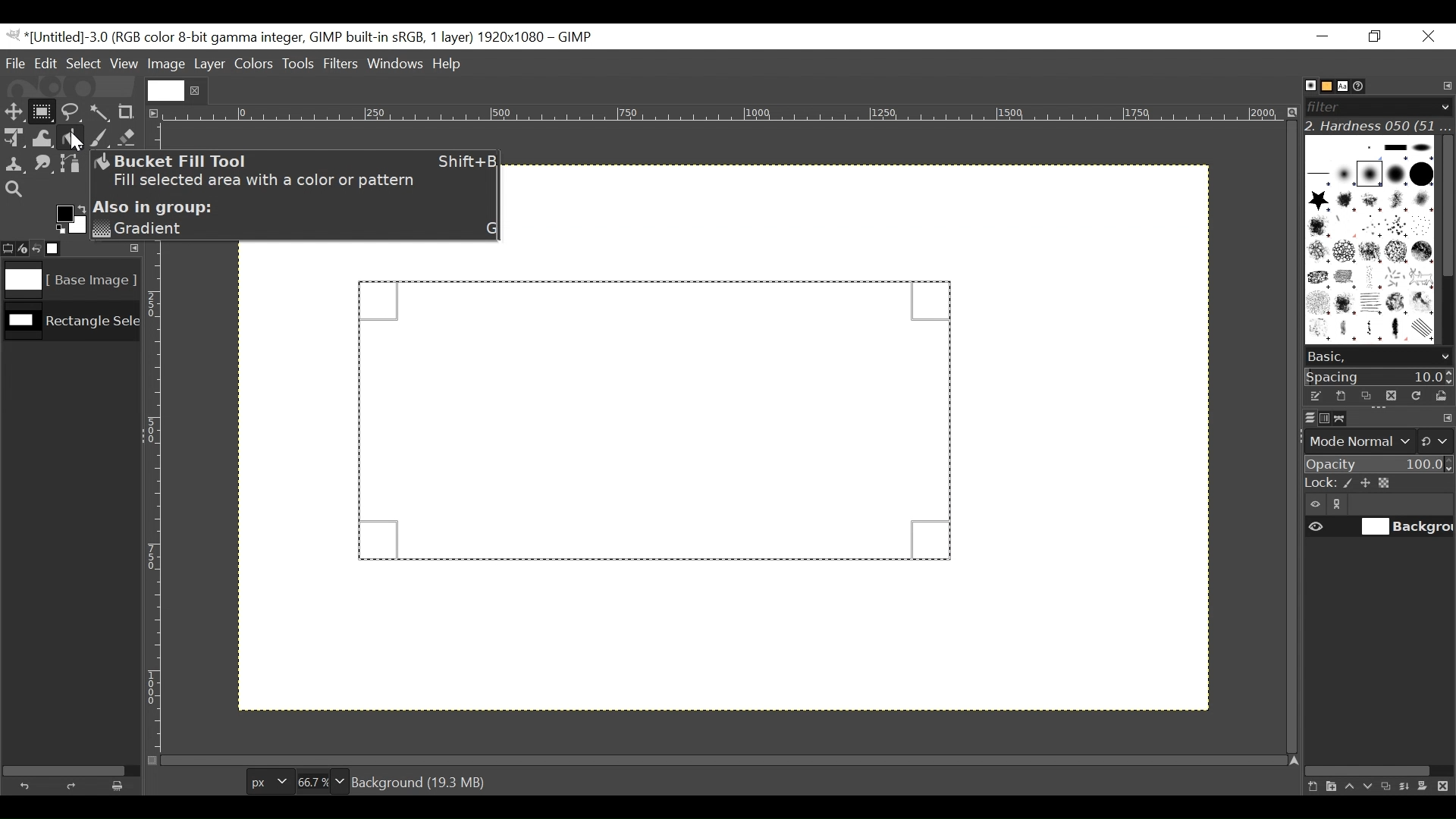 The image size is (1456, 819). I want to click on Lower the layer, so click(1369, 785).